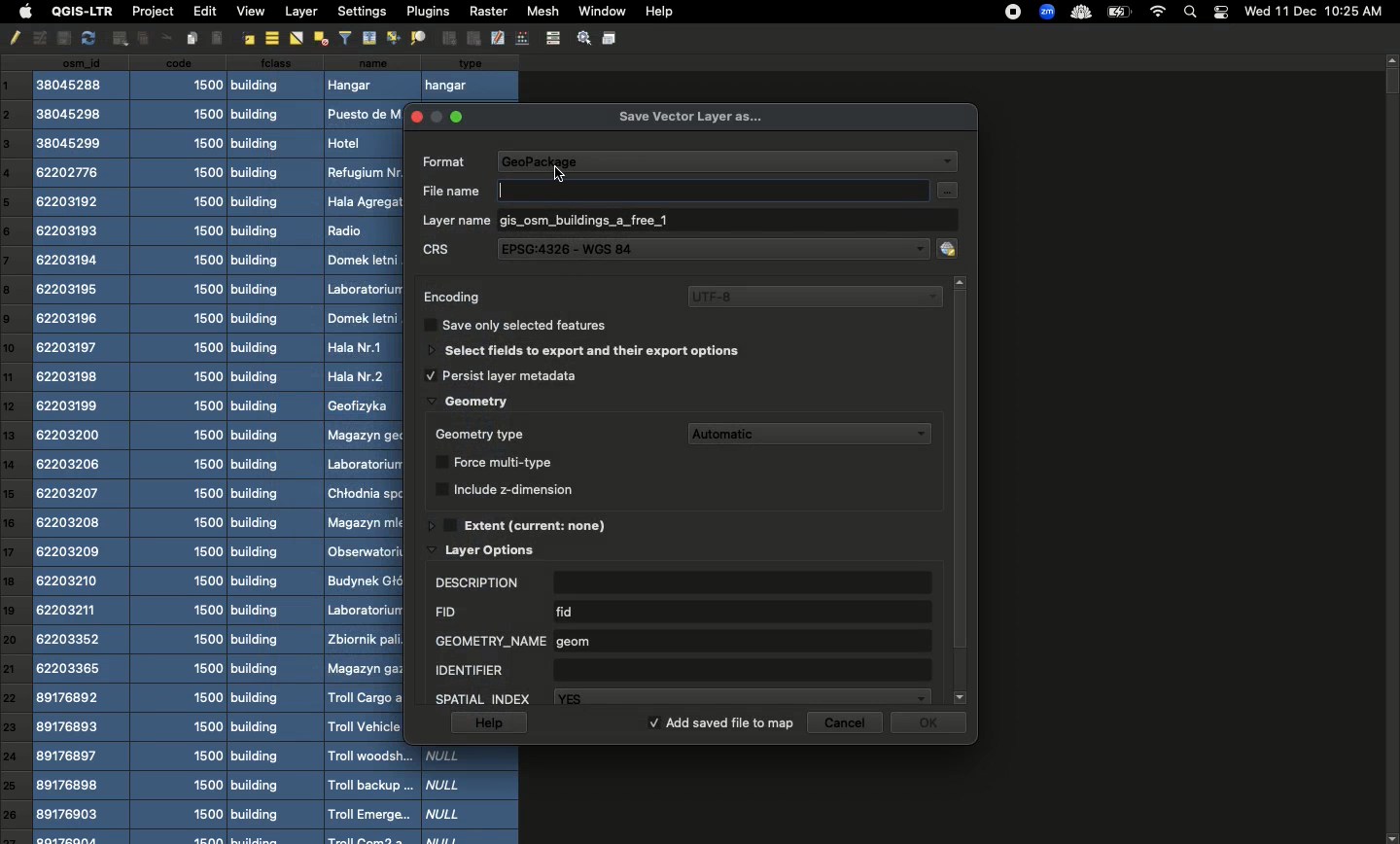 This screenshot has height=844, width=1400. What do you see at coordinates (162, 38) in the screenshot?
I see `` at bounding box center [162, 38].